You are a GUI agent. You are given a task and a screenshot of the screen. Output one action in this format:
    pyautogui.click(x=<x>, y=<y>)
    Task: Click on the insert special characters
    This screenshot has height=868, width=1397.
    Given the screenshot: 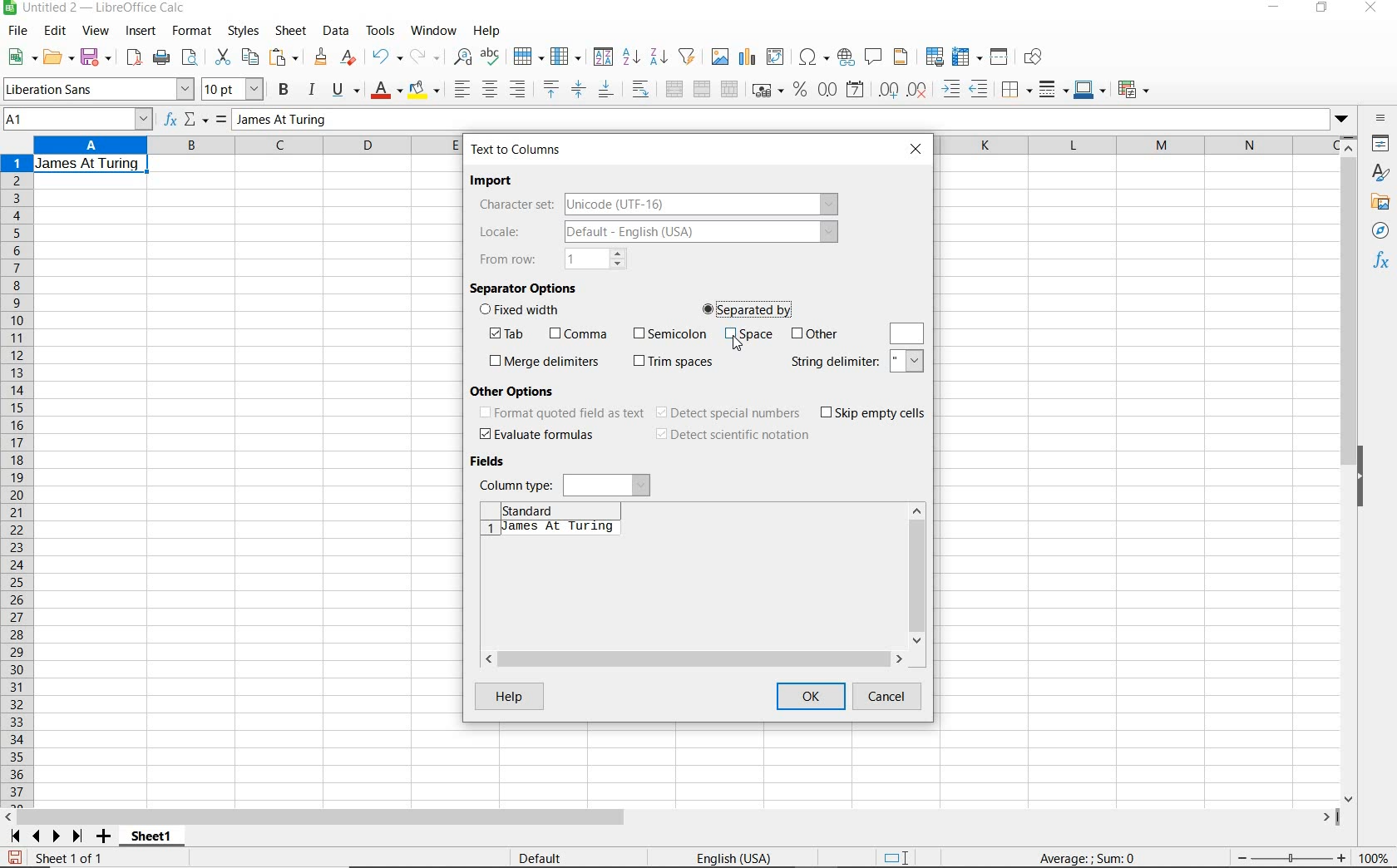 What is the action you would take?
    pyautogui.click(x=813, y=58)
    